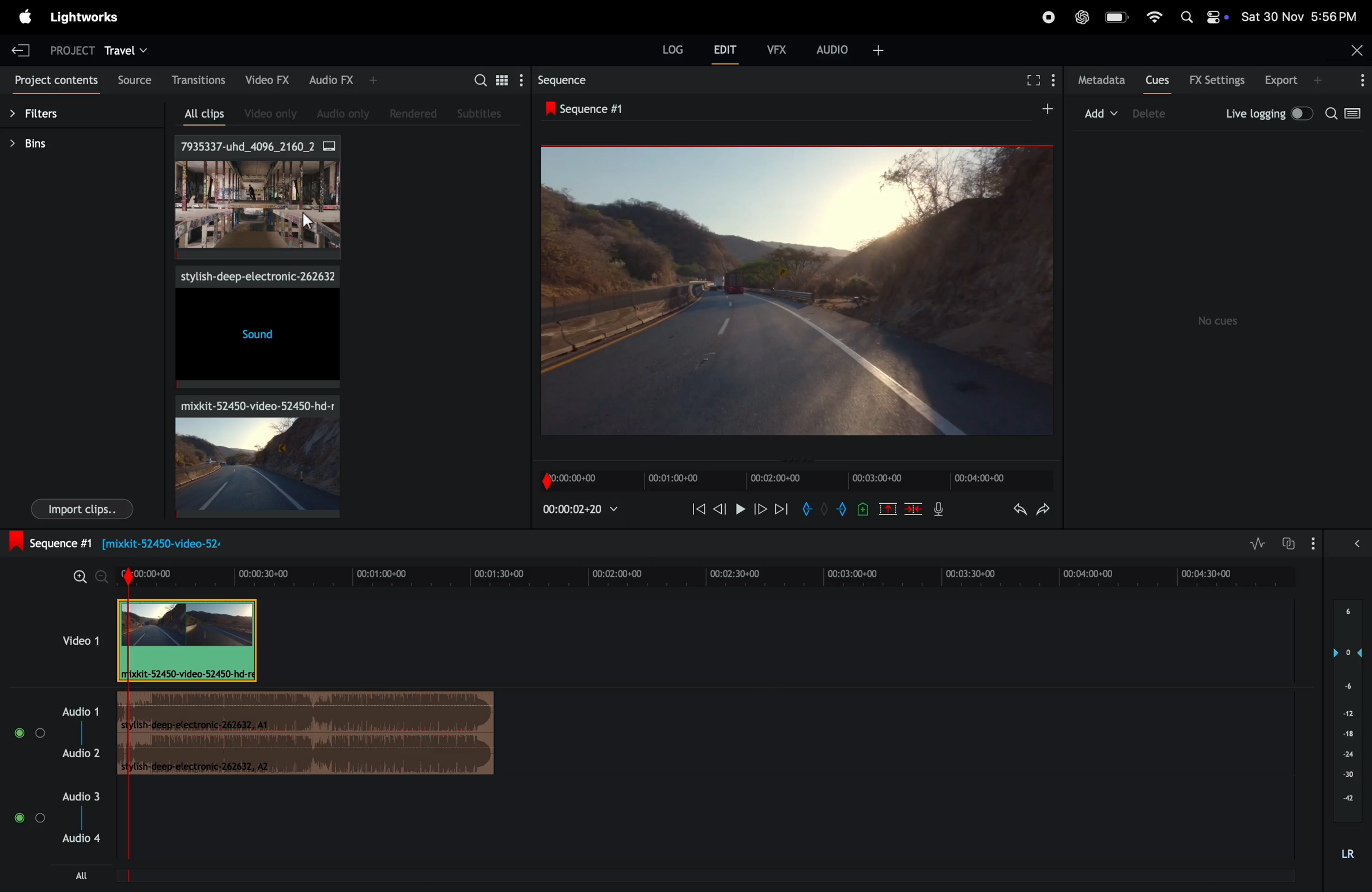  What do you see at coordinates (58, 833) in the screenshot?
I see `audio 3` at bounding box center [58, 833].